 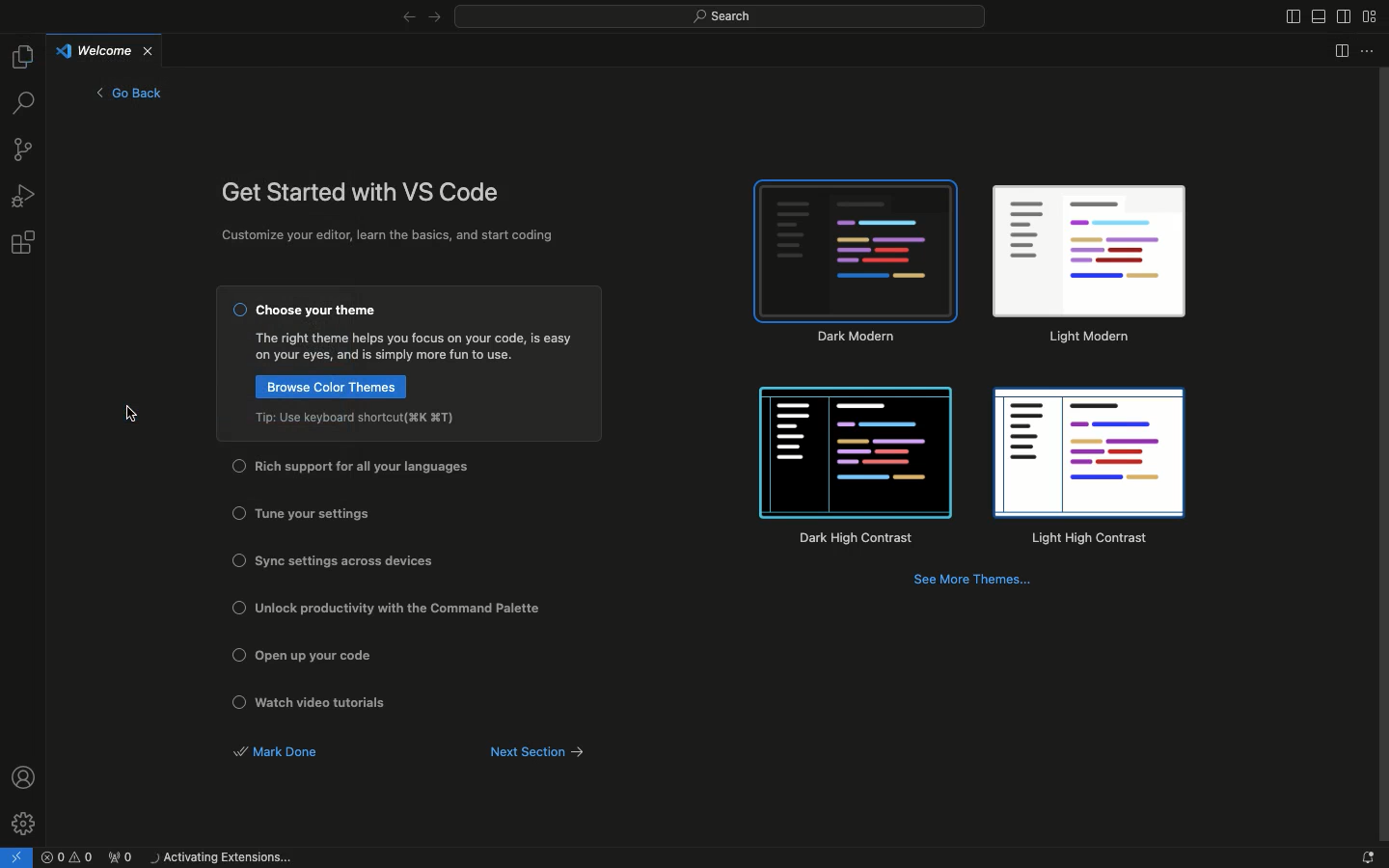 I want to click on Checkbox, so click(x=236, y=653).